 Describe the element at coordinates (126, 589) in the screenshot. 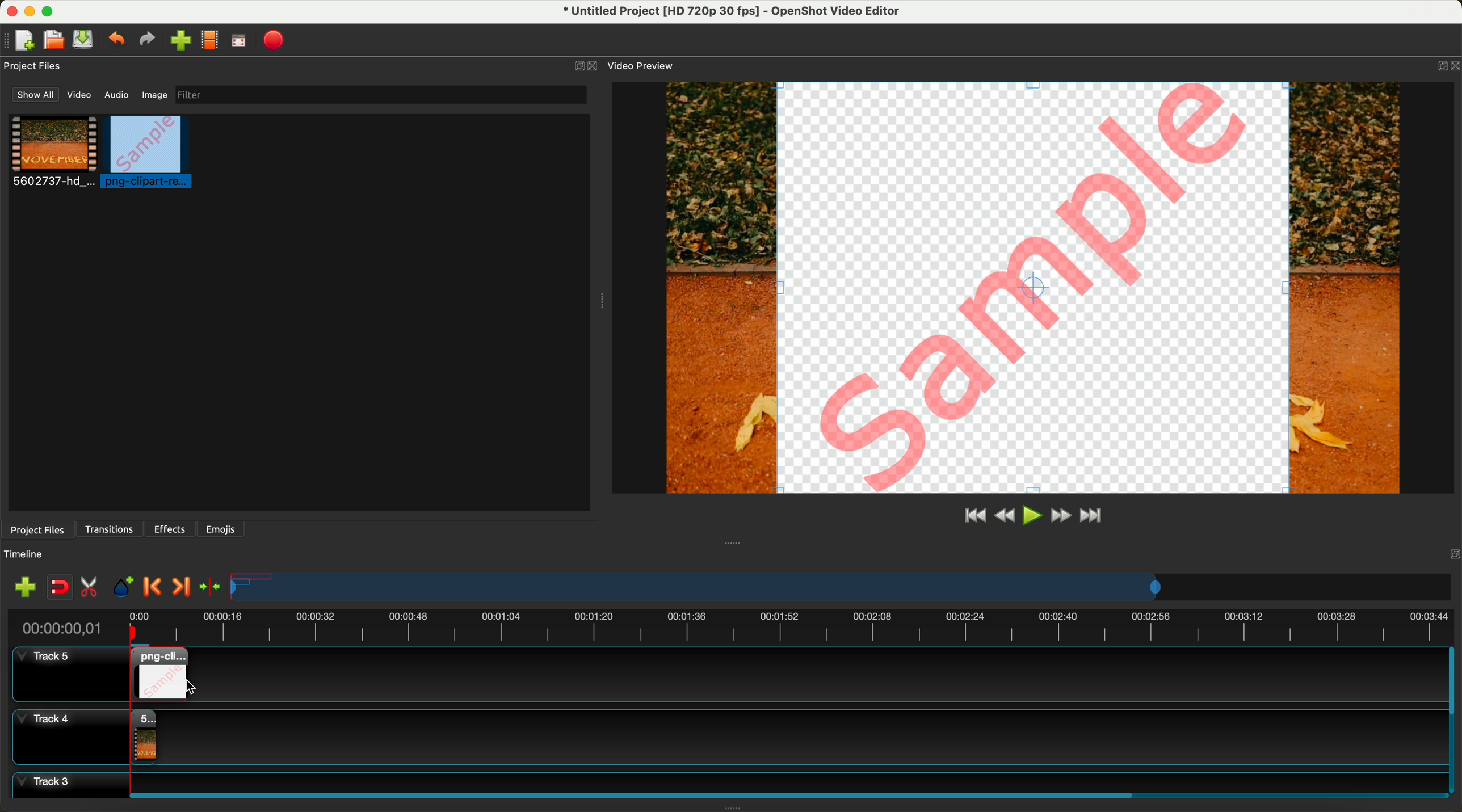

I see `add mark` at that location.